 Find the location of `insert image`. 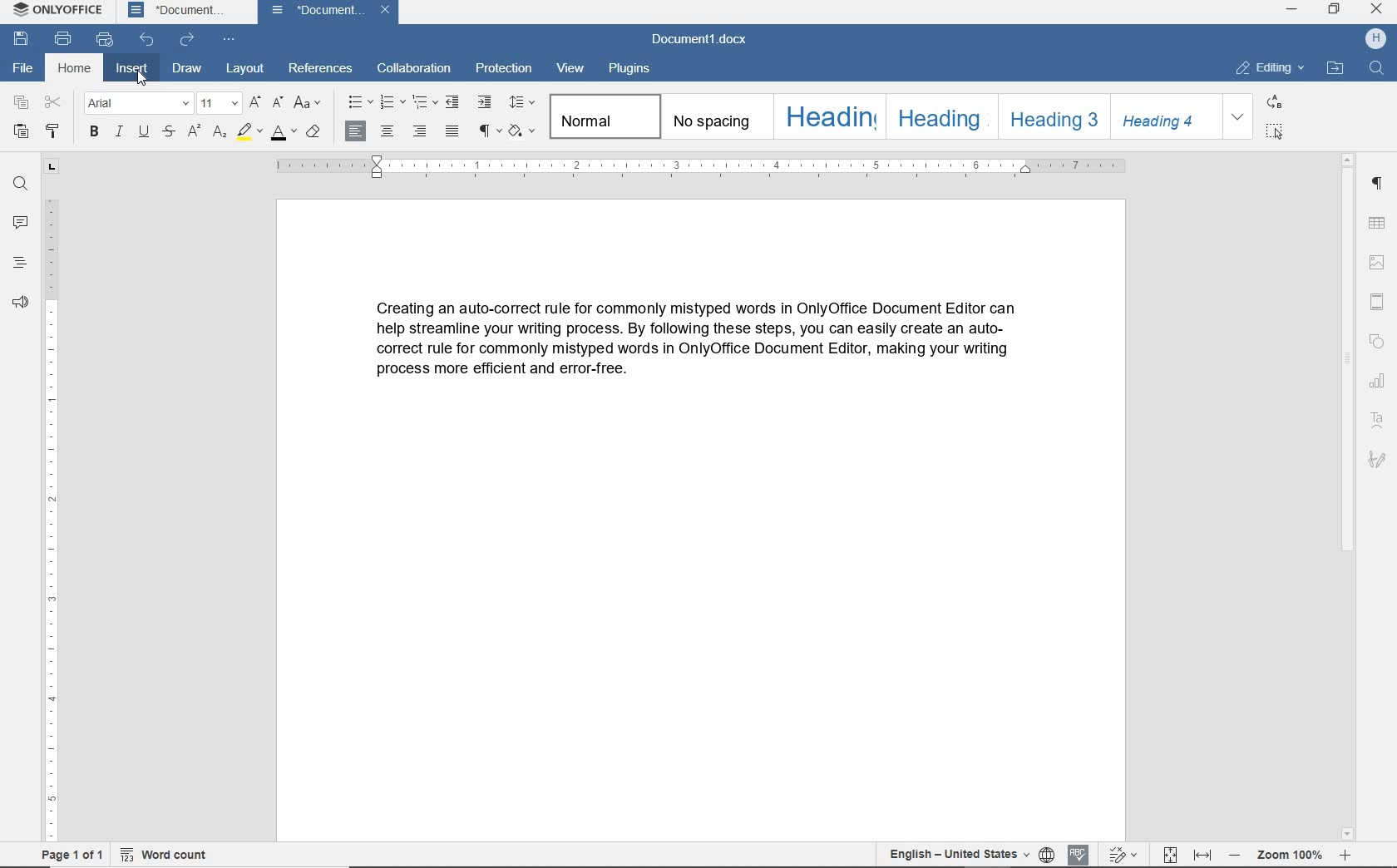

insert image is located at coordinates (1380, 261).